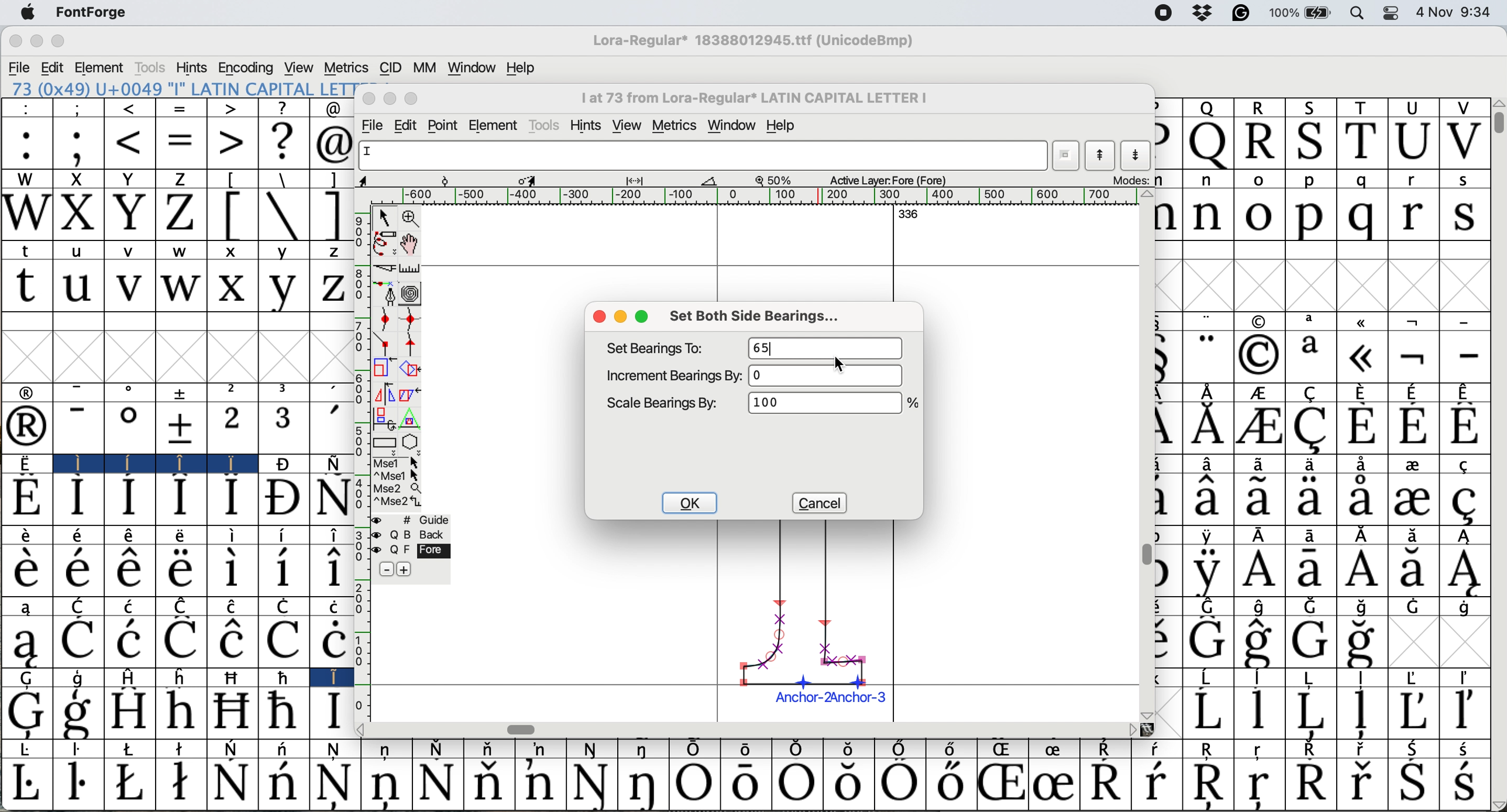  Describe the element at coordinates (231, 428) in the screenshot. I see `2` at that location.